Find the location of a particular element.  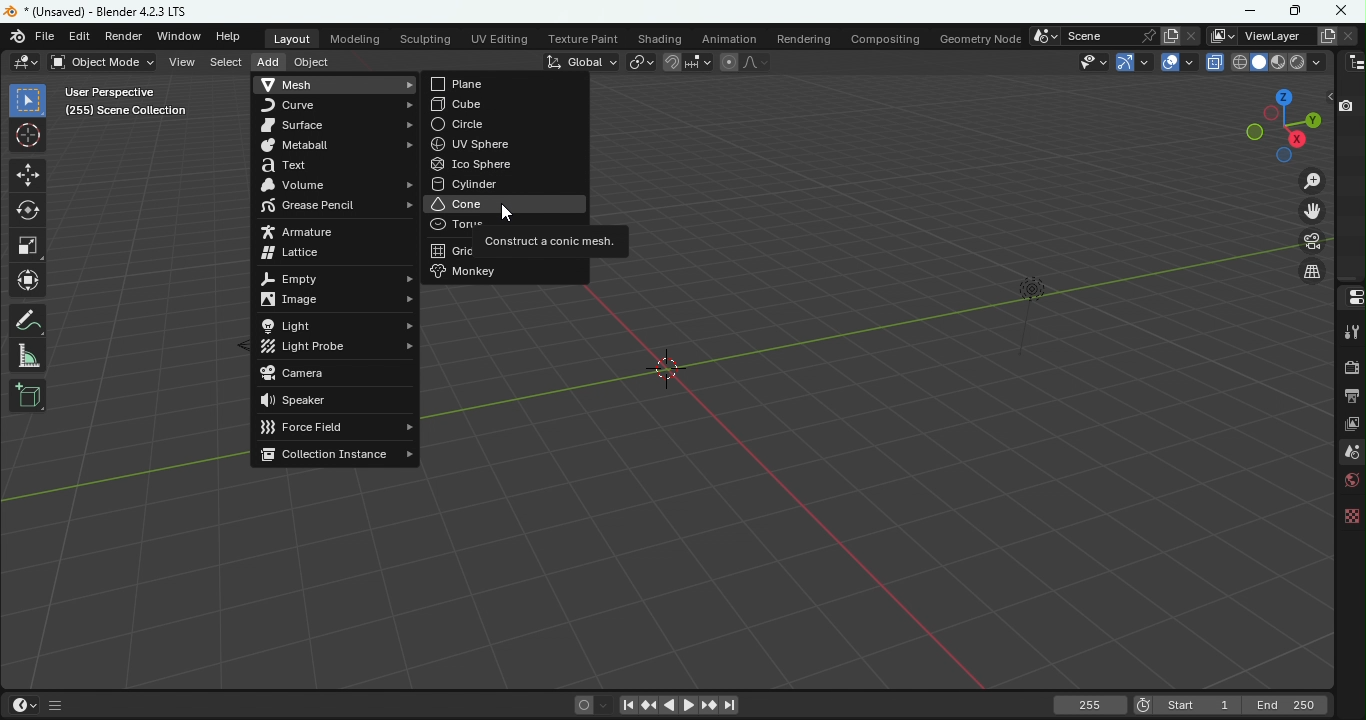

Force field is located at coordinates (331, 429).